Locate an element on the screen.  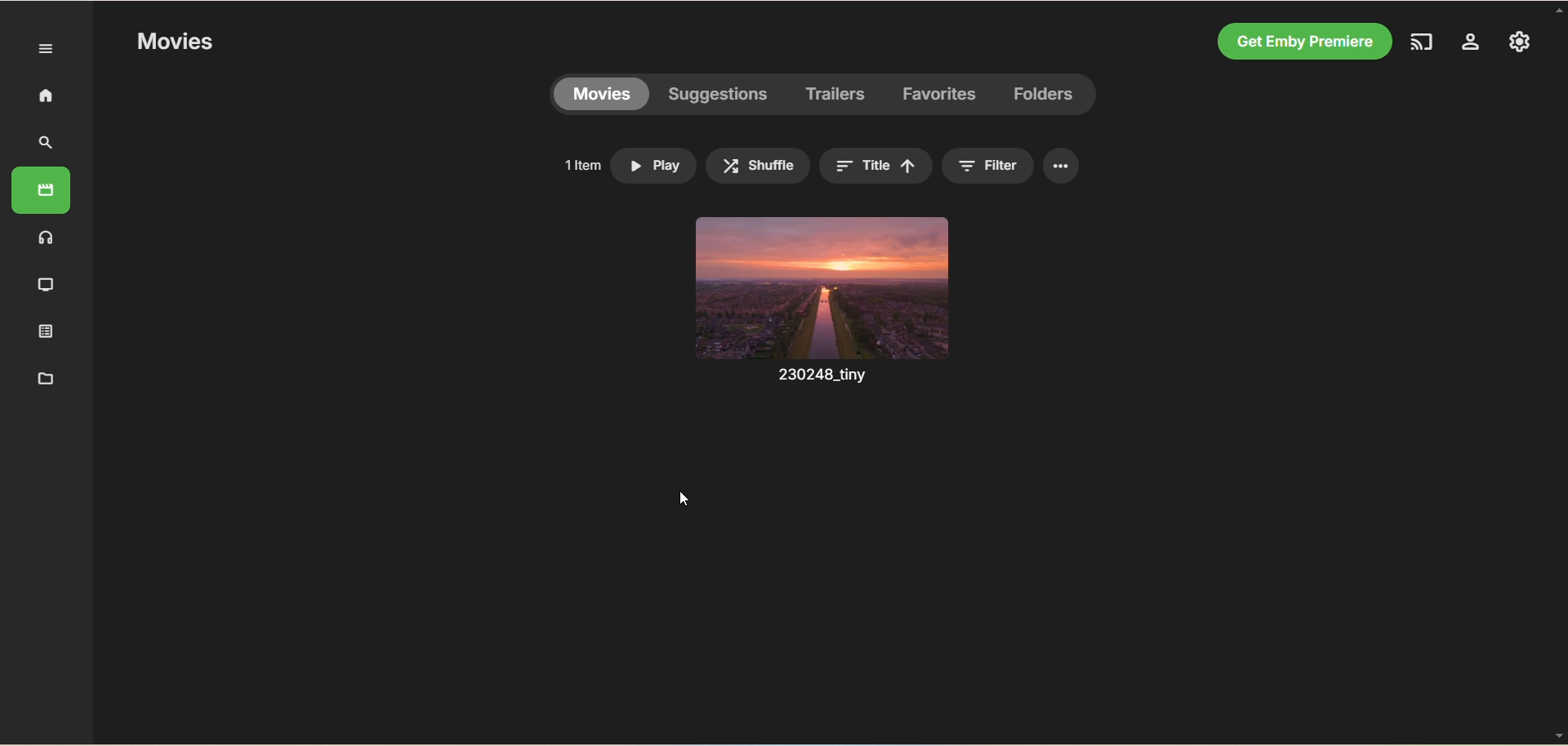
video is located at coordinates (822, 289).